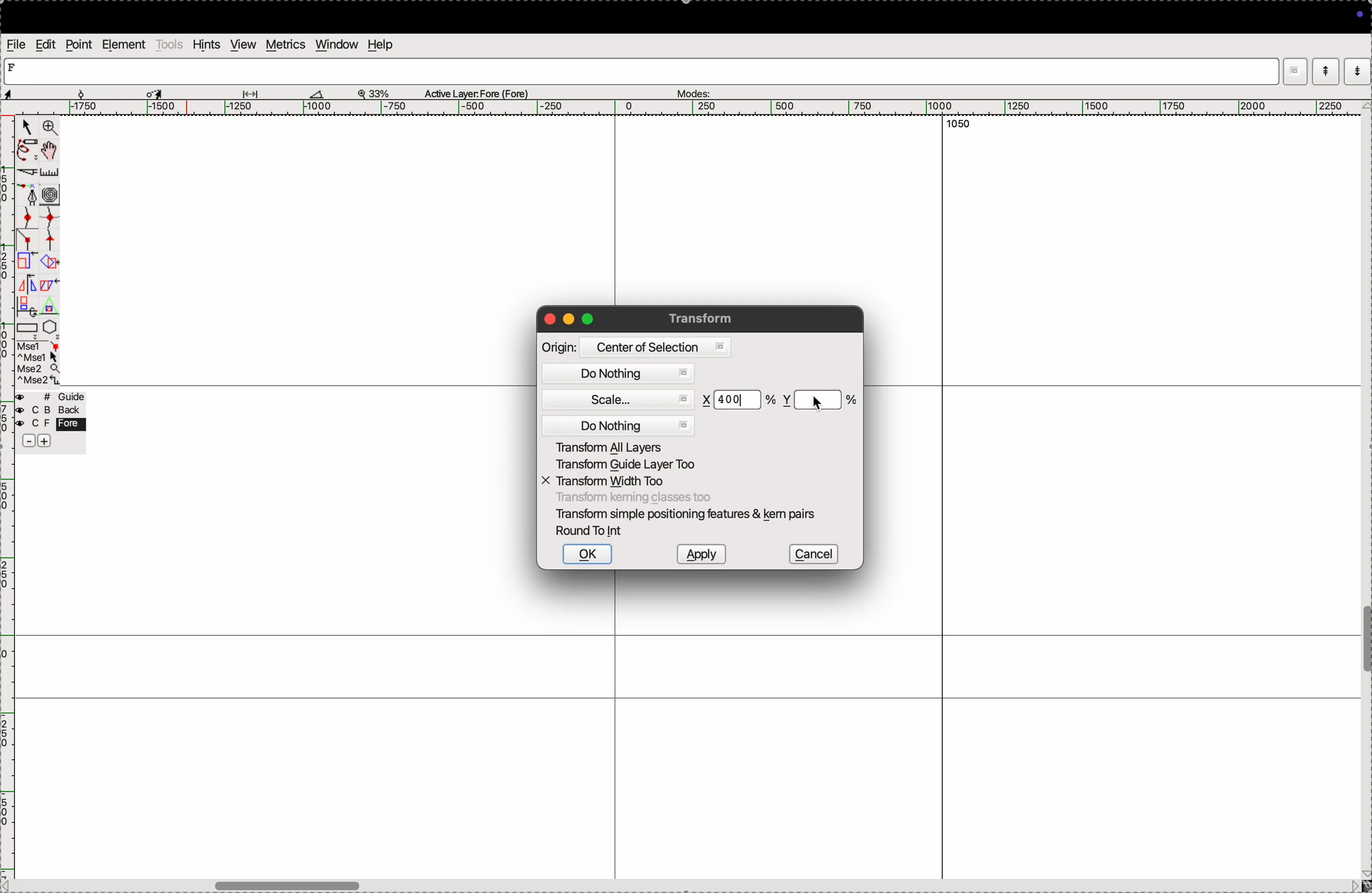  What do you see at coordinates (621, 374) in the screenshot?
I see `do nothing` at bounding box center [621, 374].